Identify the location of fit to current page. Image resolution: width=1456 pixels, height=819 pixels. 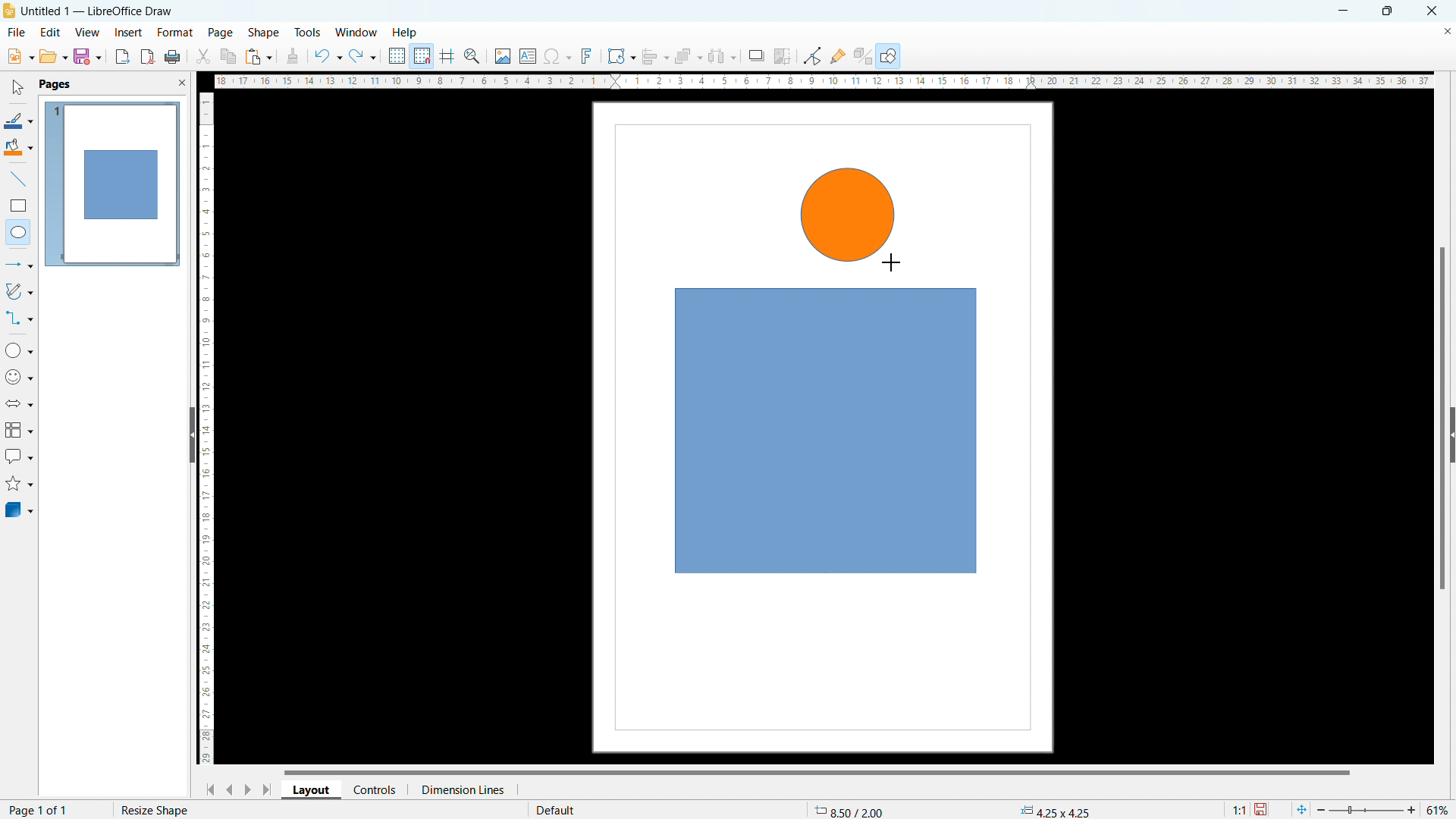
(1301, 809).